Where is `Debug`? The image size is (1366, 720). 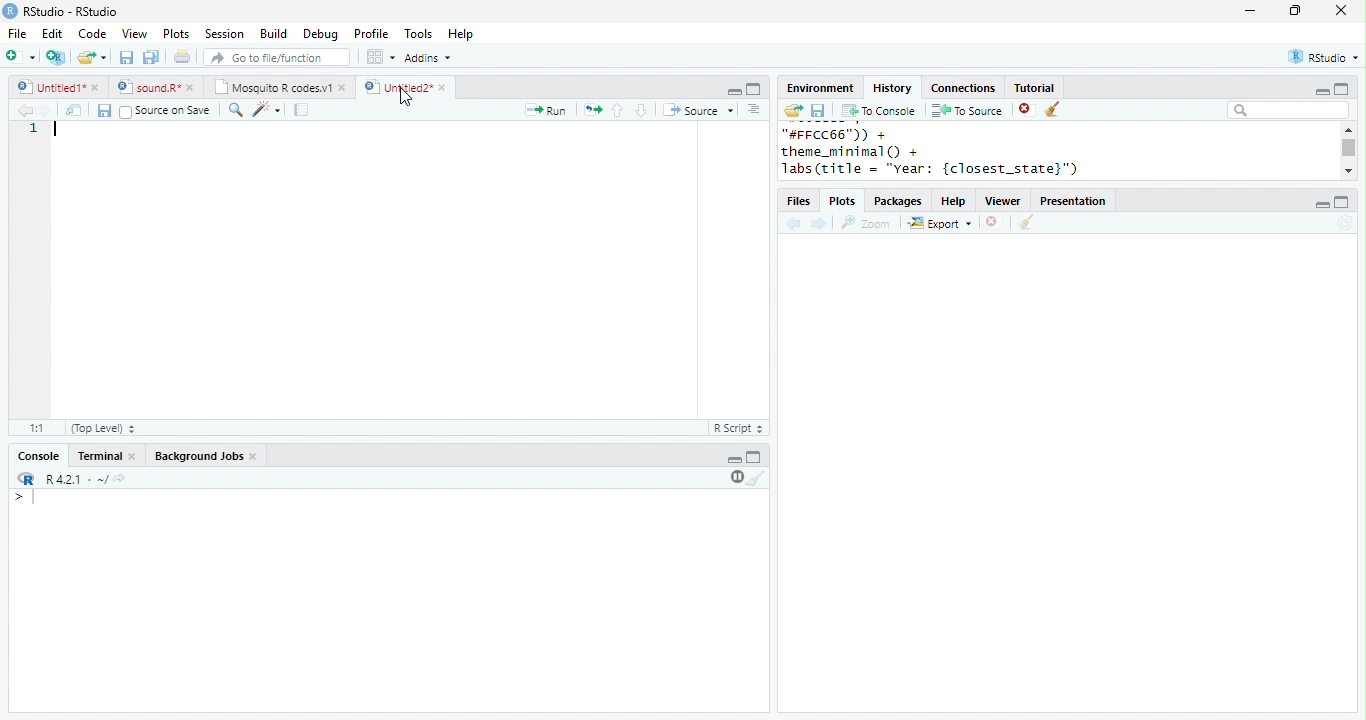
Debug is located at coordinates (321, 35).